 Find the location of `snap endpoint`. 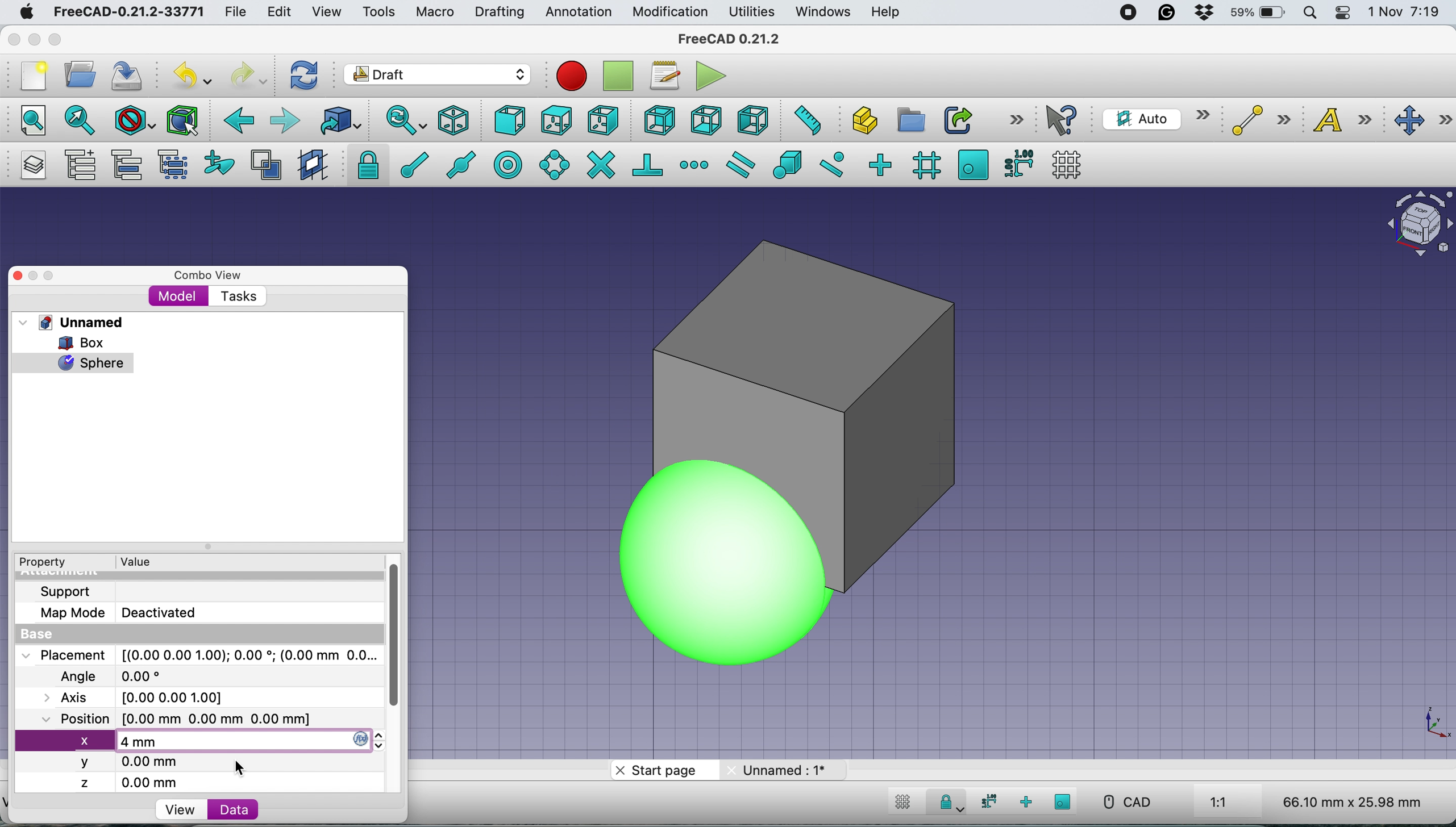

snap endpoint is located at coordinates (410, 169).